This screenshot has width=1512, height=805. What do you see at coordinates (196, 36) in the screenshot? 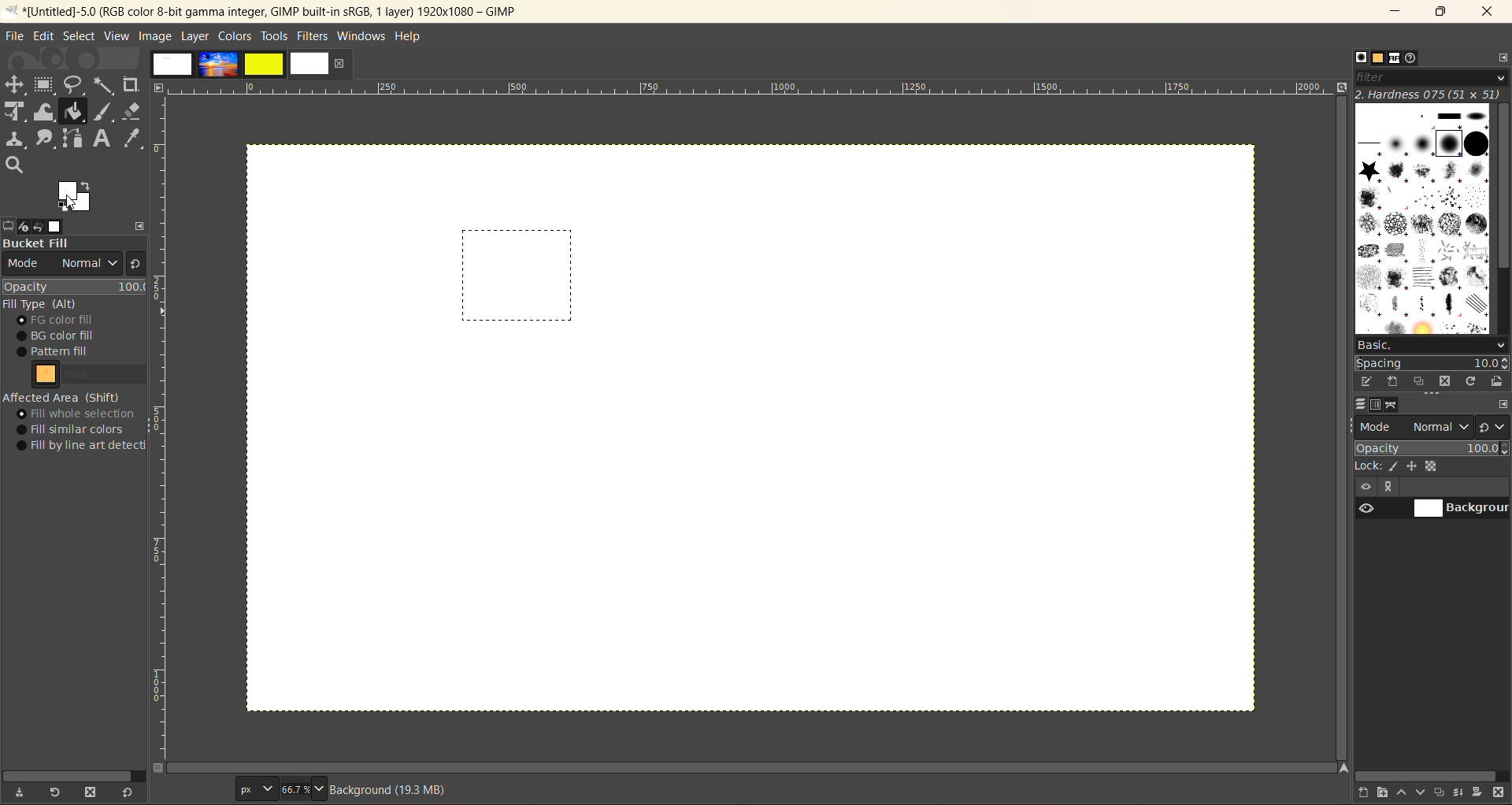
I see `layer` at bounding box center [196, 36].